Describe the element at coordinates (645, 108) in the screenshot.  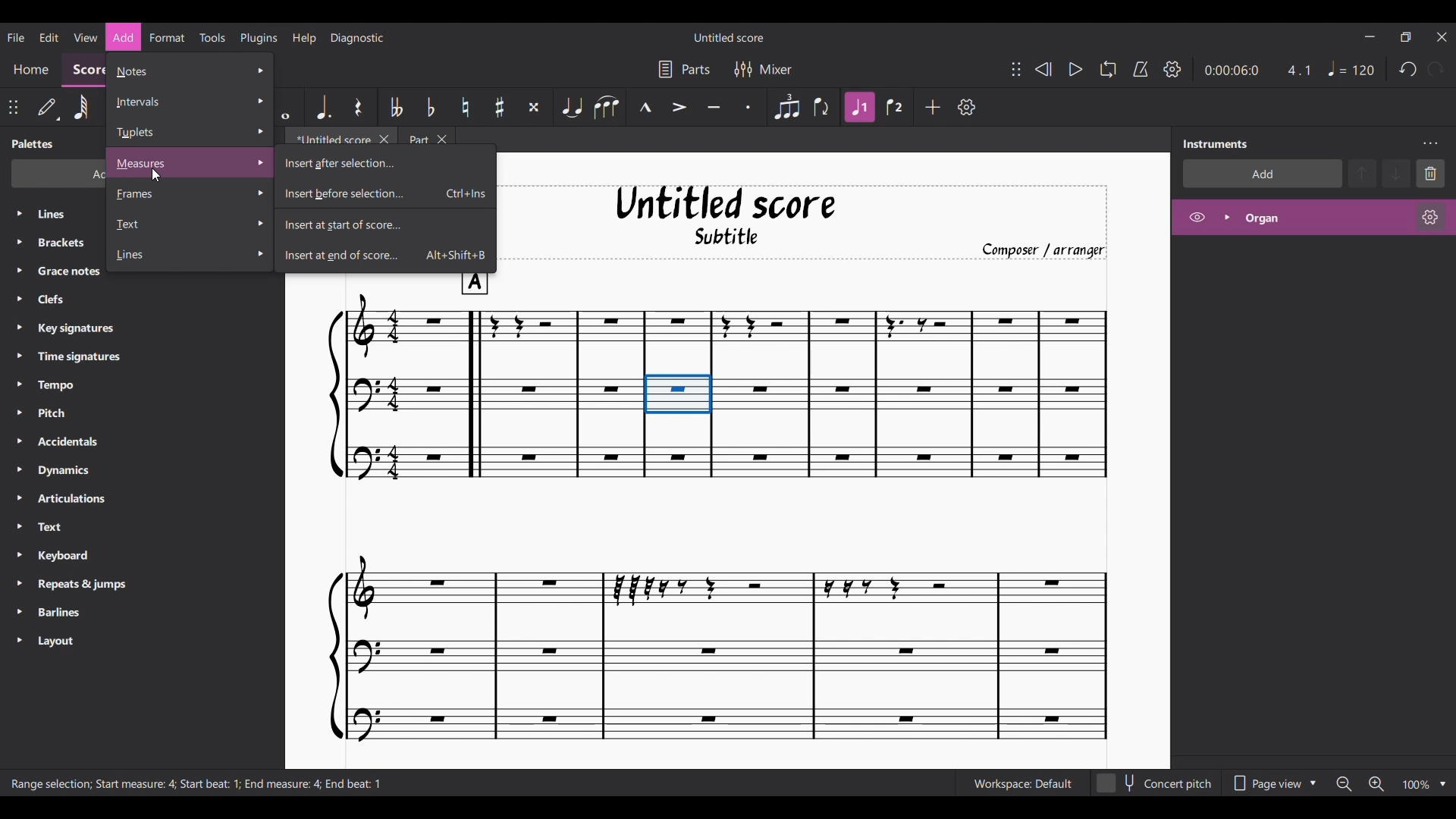
I see `Marcato` at that location.